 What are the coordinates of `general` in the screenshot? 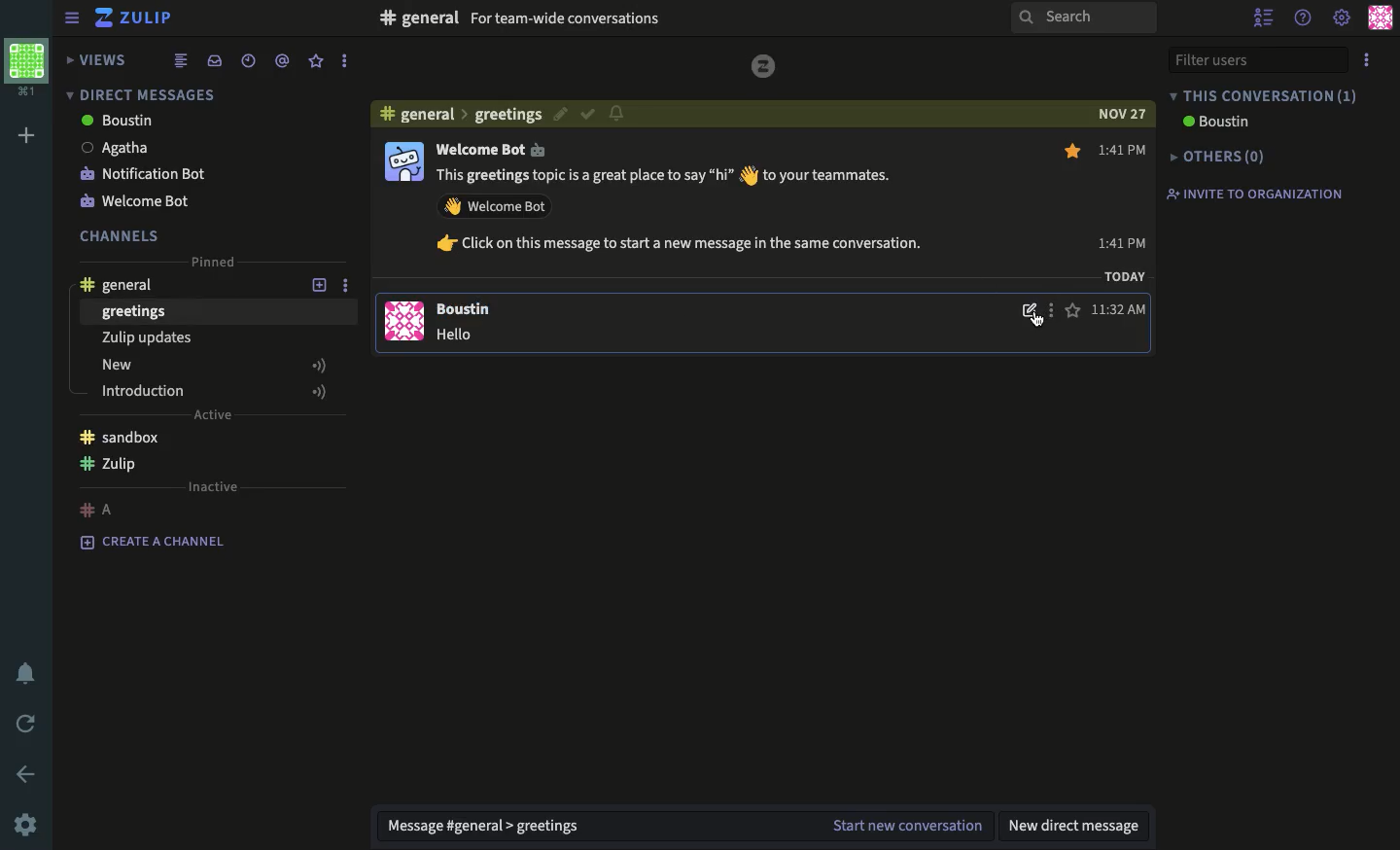 It's located at (126, 282).